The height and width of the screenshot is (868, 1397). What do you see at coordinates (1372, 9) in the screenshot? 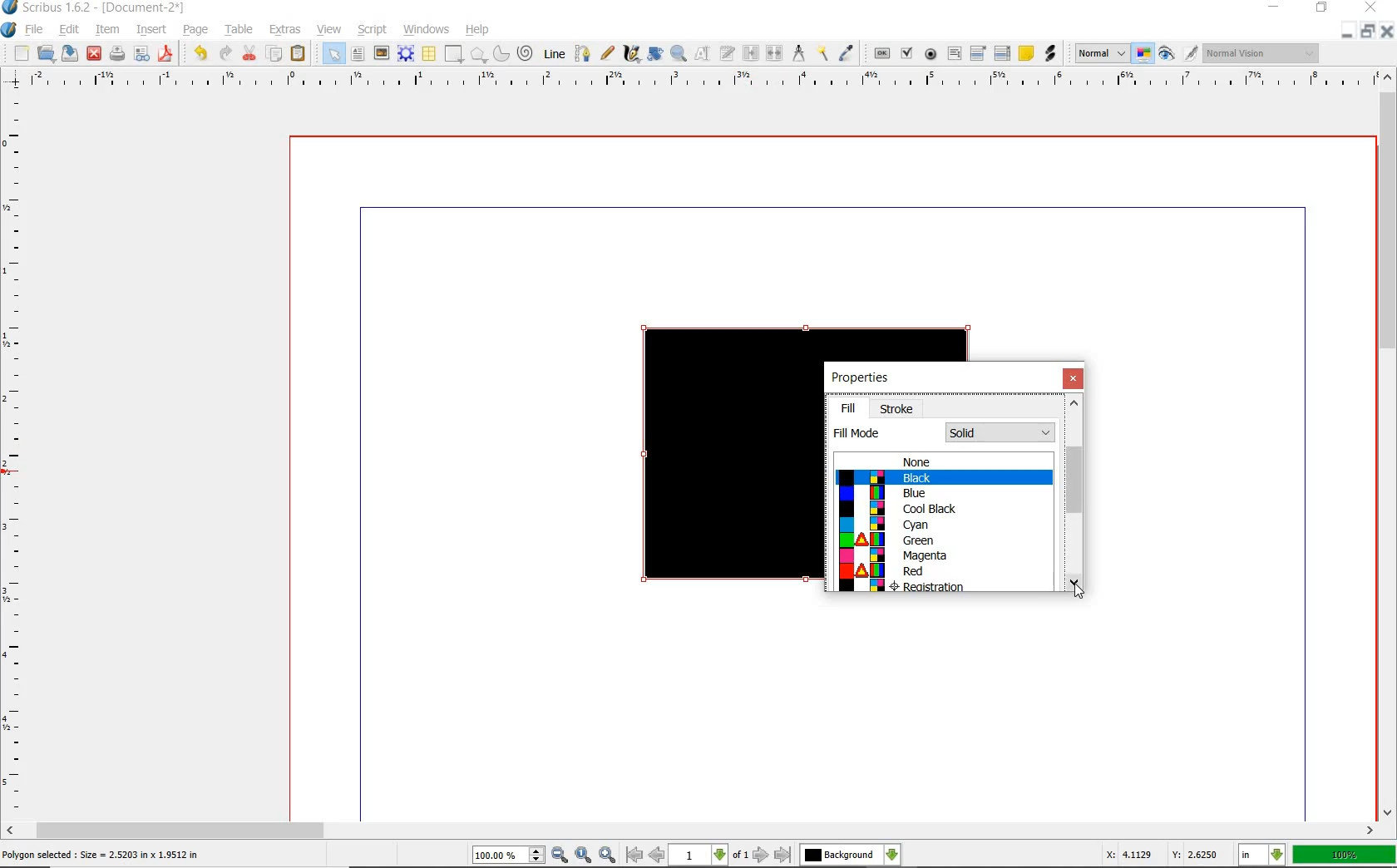
I see `CLOSE` at bounding box center [1372, 9].